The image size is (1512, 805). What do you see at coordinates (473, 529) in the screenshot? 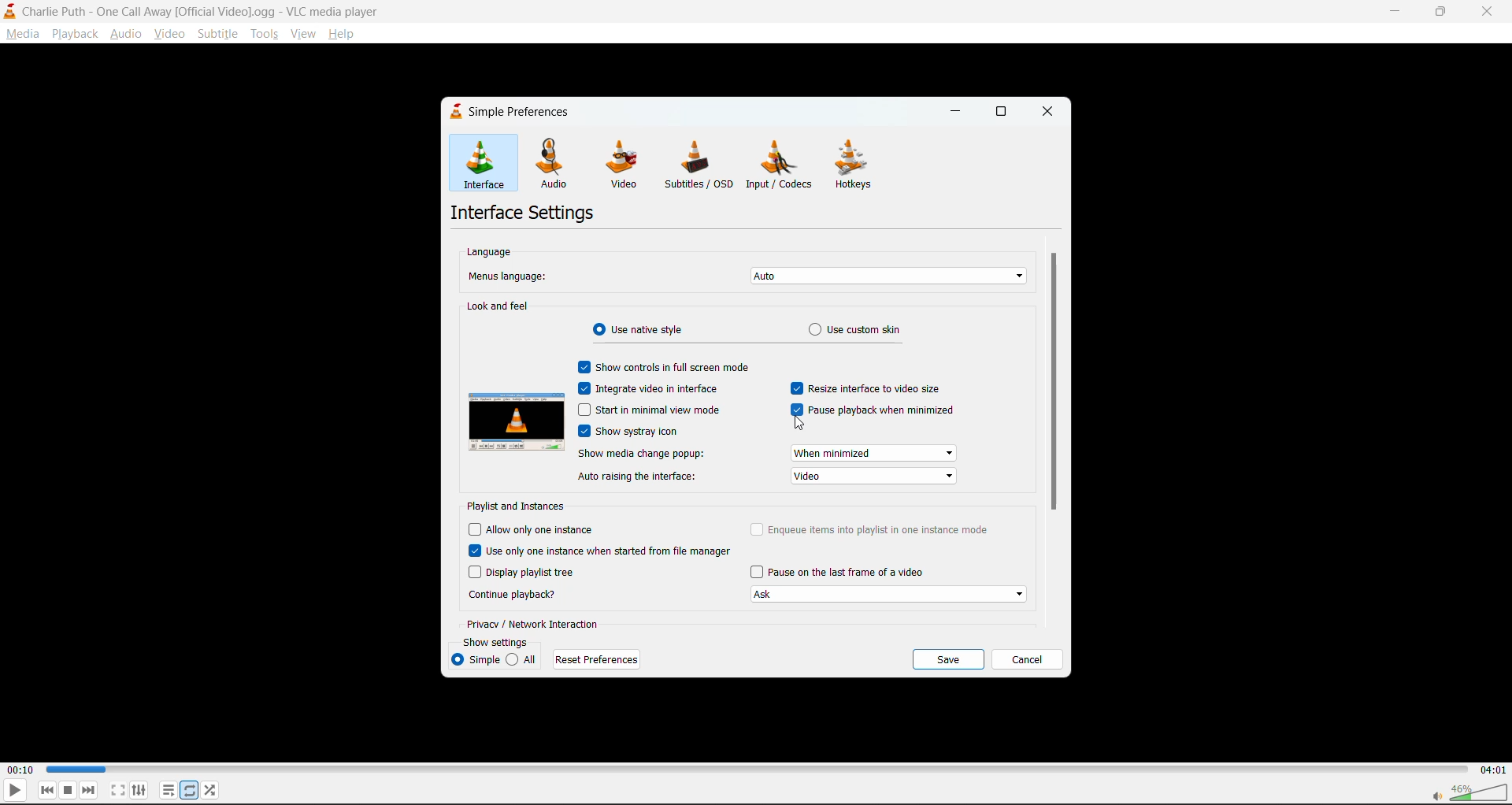
I see `Checbox` at bounding box center [473, 529].